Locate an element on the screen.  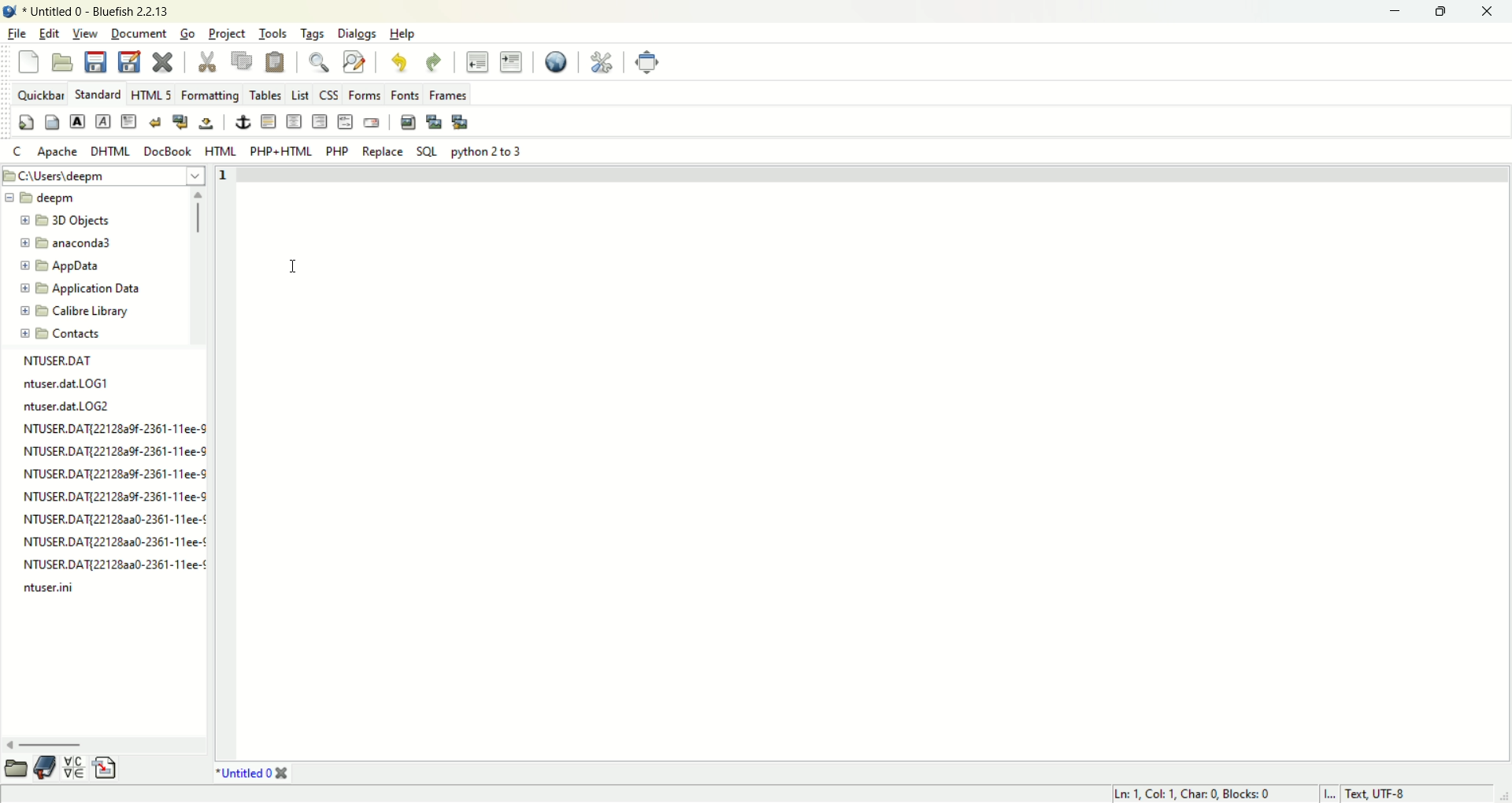
fullscreen is located at coordinates (648, 61).